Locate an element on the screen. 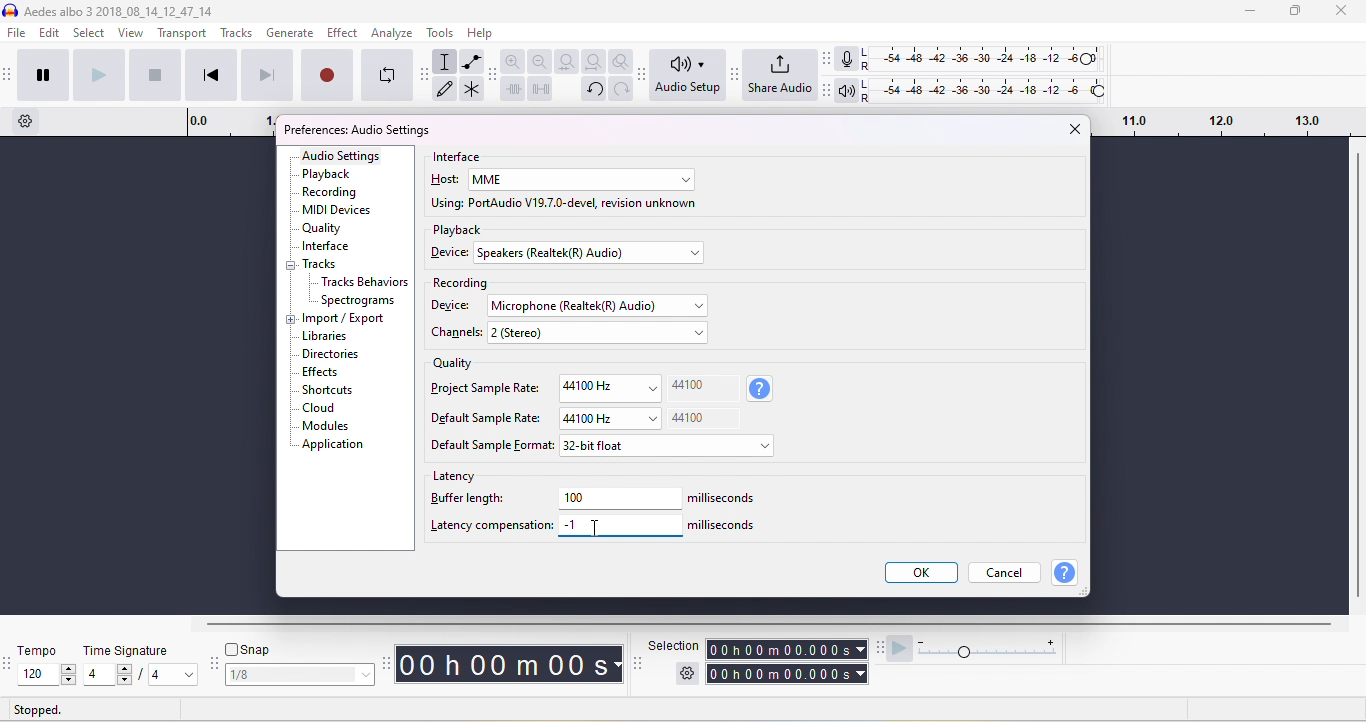 This screenshot has height=722, width=1366. select time parameter is located at coordinates (861, 674).